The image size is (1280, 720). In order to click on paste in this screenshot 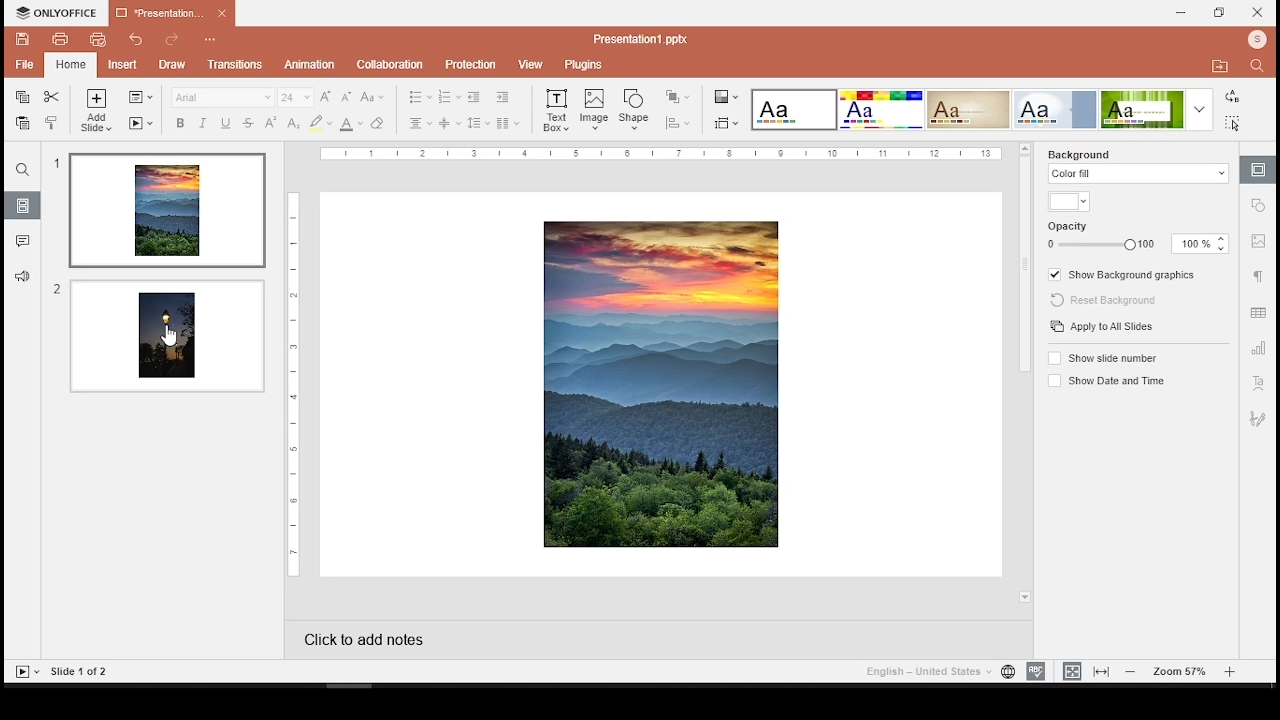, I will do `click(23, 123)`.